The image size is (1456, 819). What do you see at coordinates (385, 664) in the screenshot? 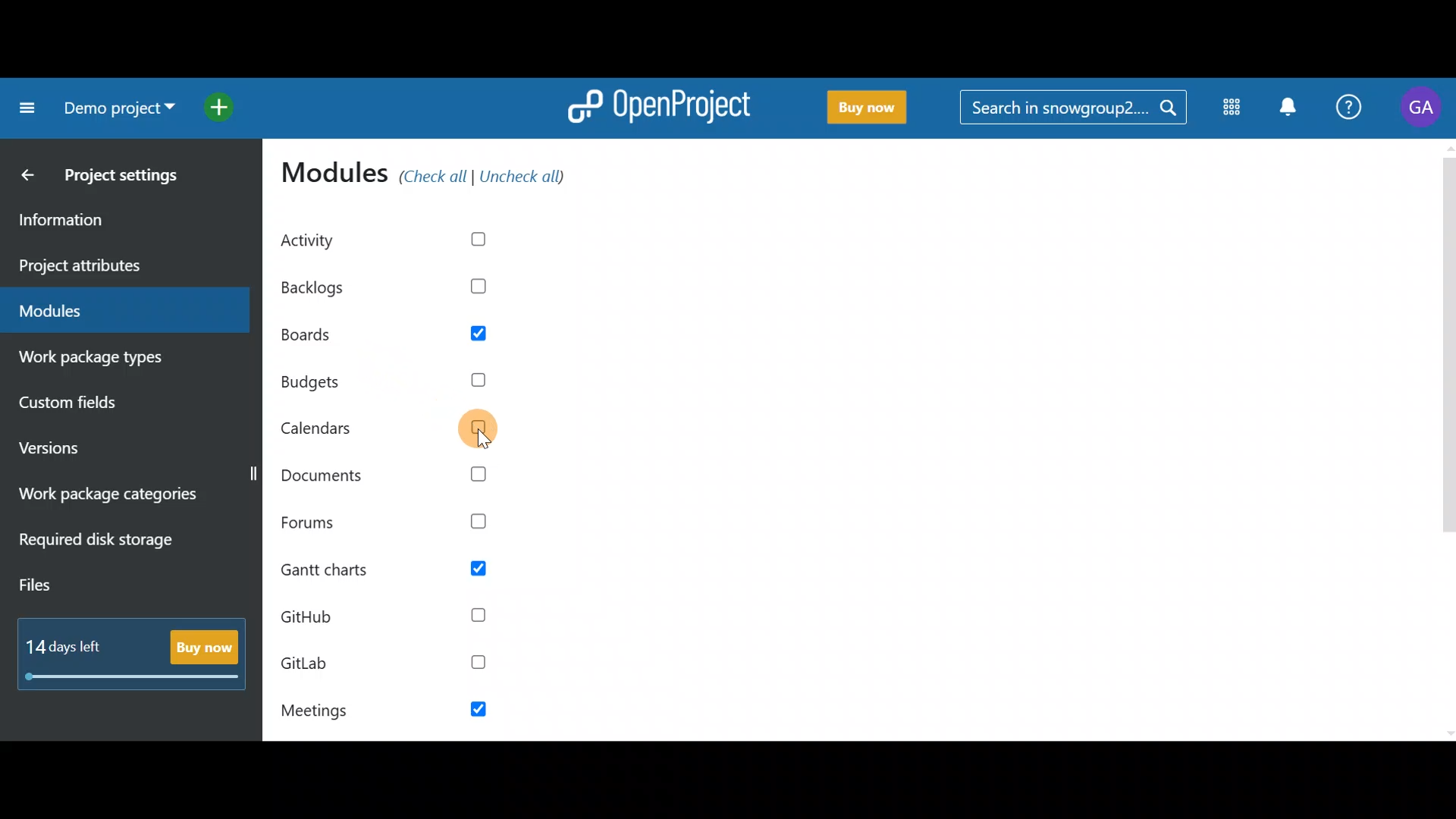
I see `GitLab` at bounding box center [385, 664].